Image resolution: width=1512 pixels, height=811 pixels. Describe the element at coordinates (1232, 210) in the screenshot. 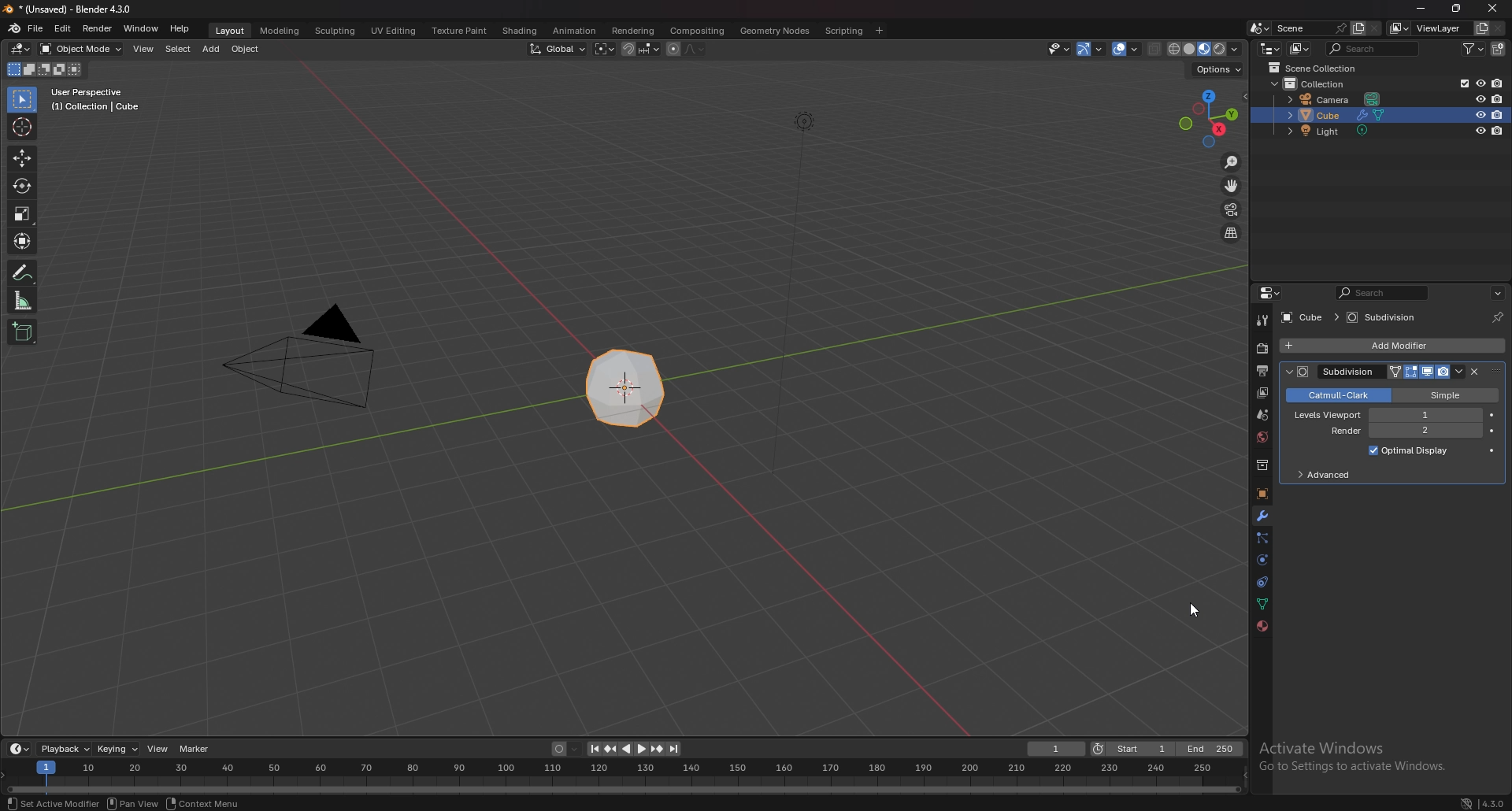

I see `camera view` at that location.